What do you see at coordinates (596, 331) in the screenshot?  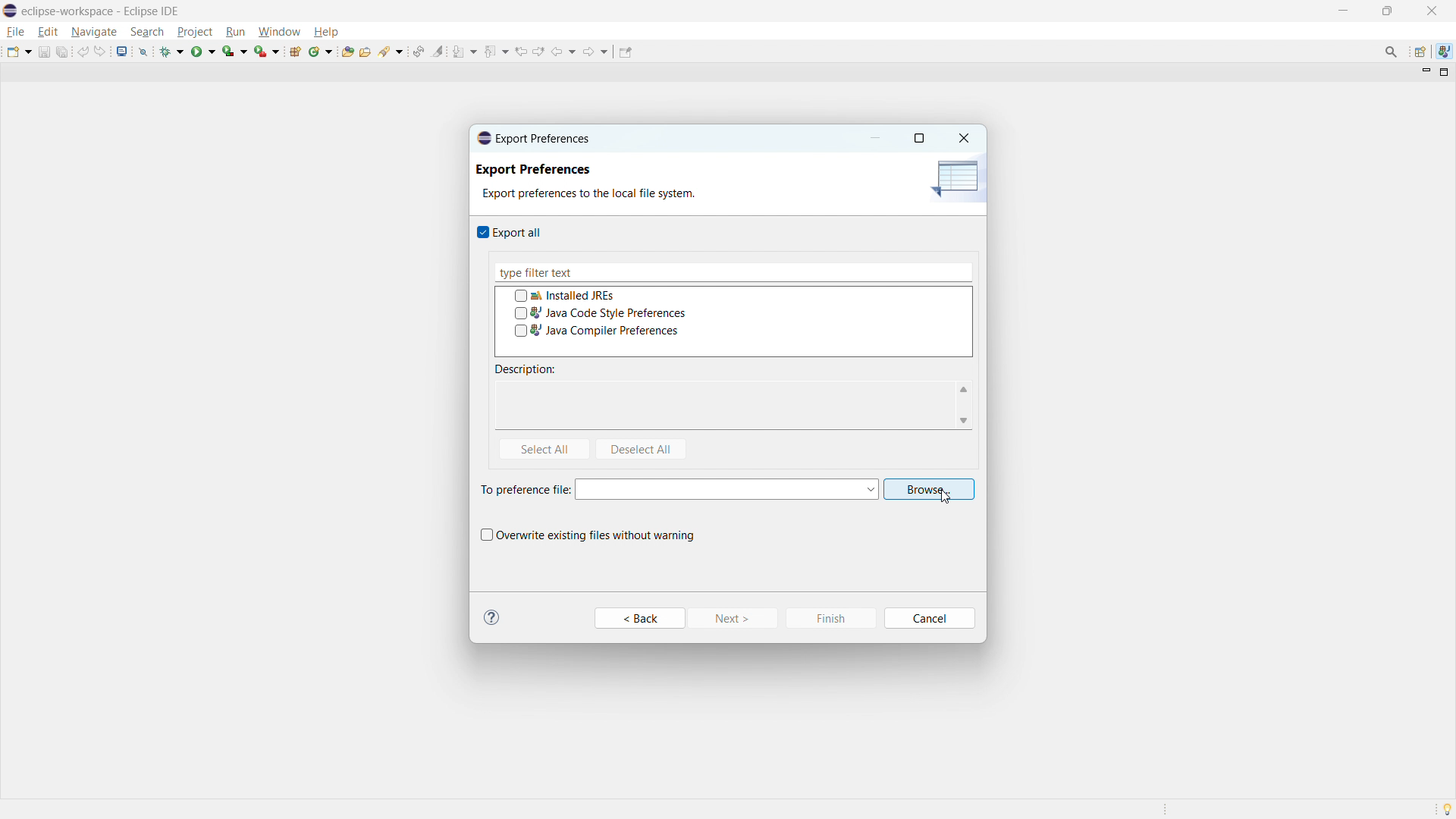 I see `java compiler preferences` at bounding box center [596, 331].